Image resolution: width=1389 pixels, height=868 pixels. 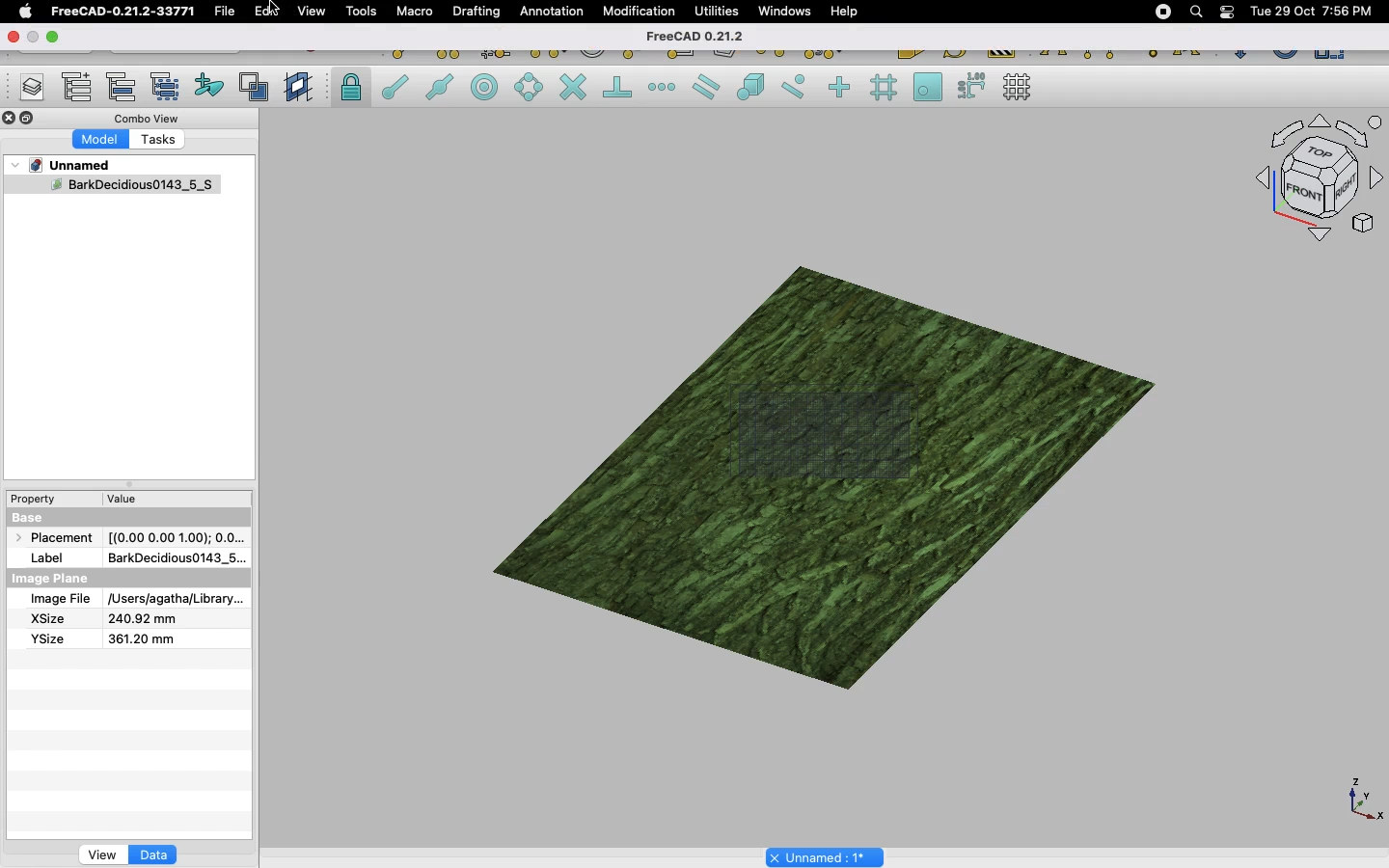 What do you see at coordinates (124, 87) in the screenshot?
I see `Move to group` at bounding box center [124, 87].